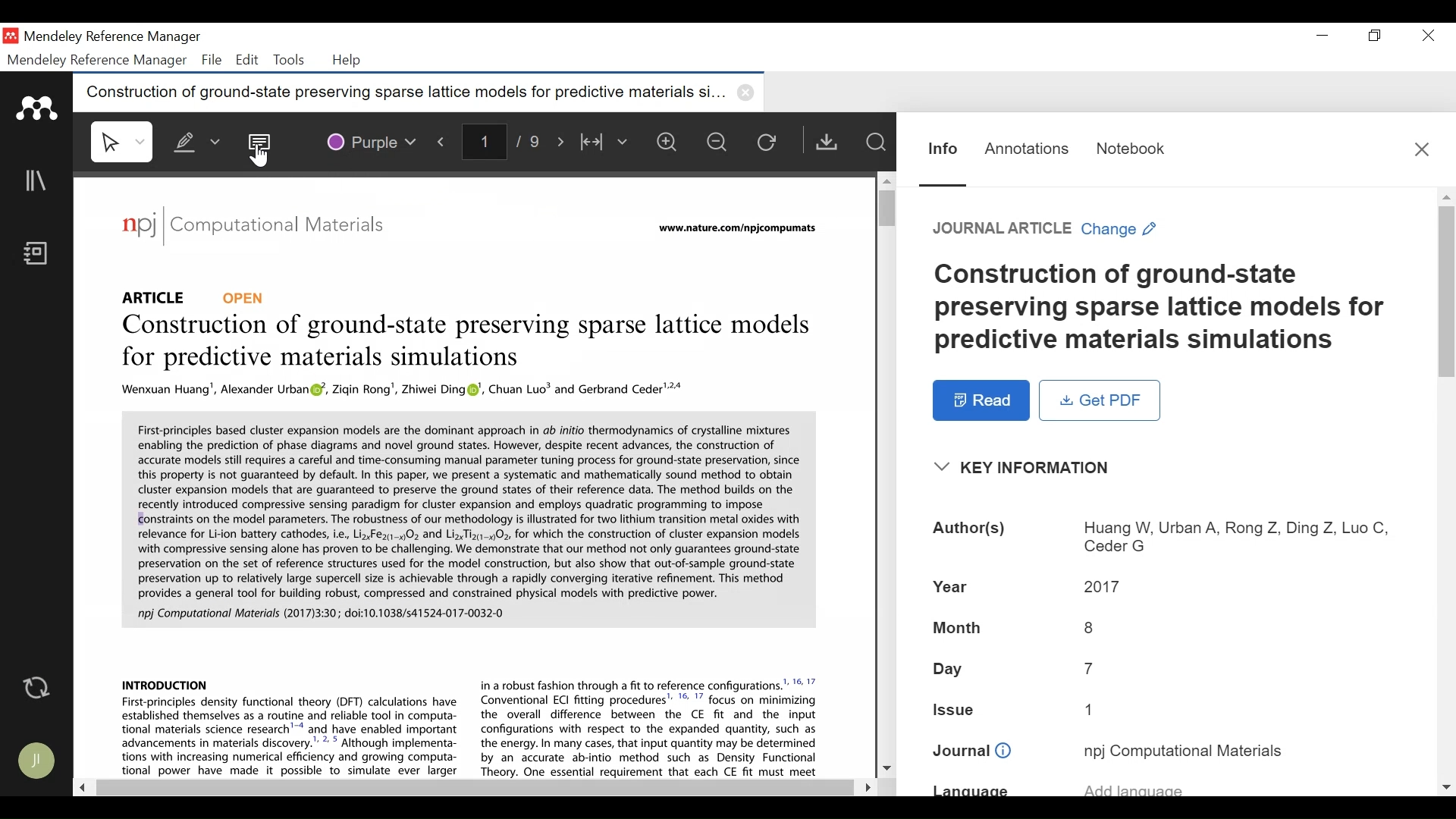 The width and height of the screenshot is (1456, 819). Describe the element at coordinates (349, 61) in the screenshot. I see `Help` at that location.